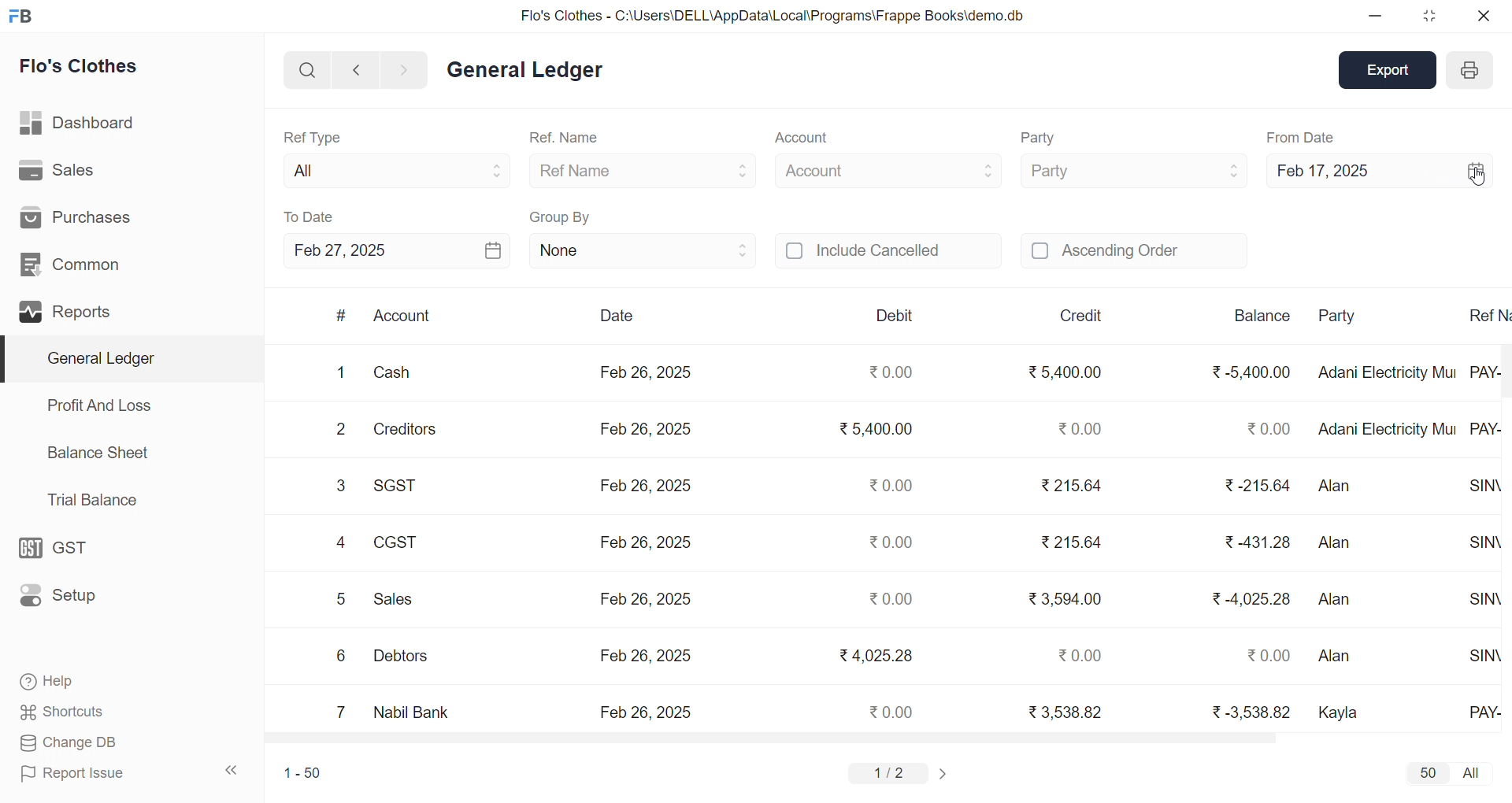 This screenshot has width=1512, height=803. I want to click on 3, so click(343, 487).